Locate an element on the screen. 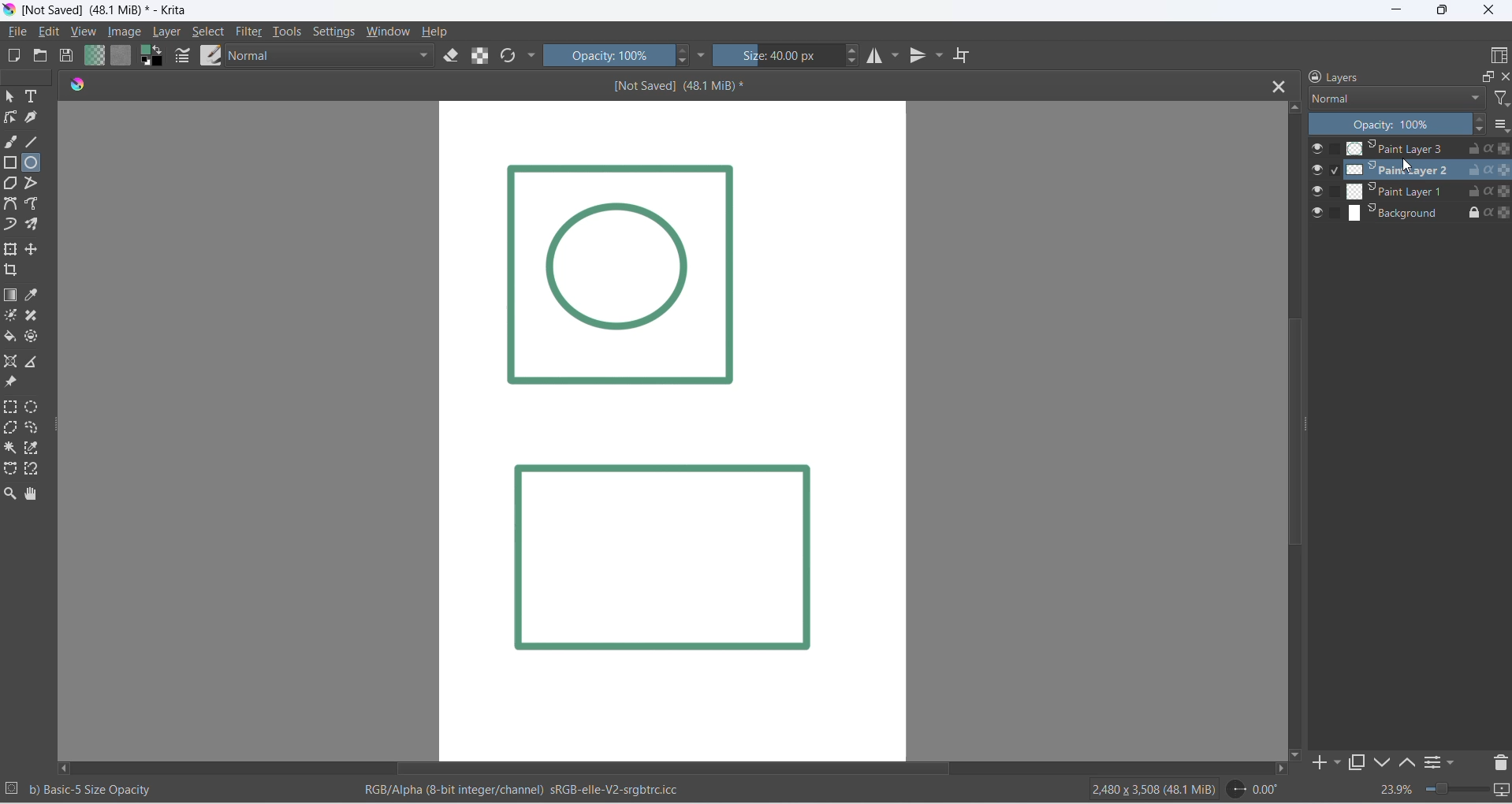  polyline tool is located at coordinates (39, 184).